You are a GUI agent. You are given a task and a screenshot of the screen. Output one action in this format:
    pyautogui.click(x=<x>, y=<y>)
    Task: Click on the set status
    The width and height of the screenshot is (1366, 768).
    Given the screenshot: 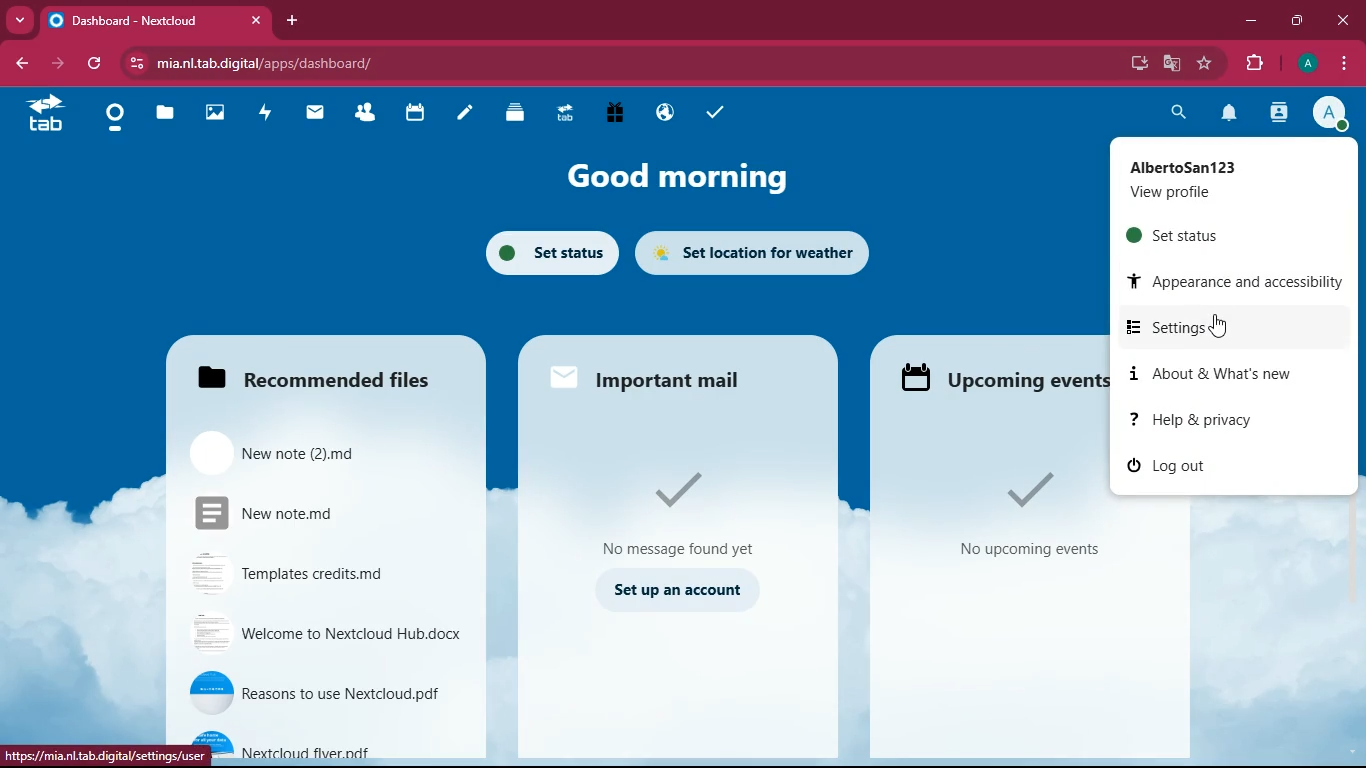 What is the action you would take?
    pyautogui.click(x=547, y=253)
    